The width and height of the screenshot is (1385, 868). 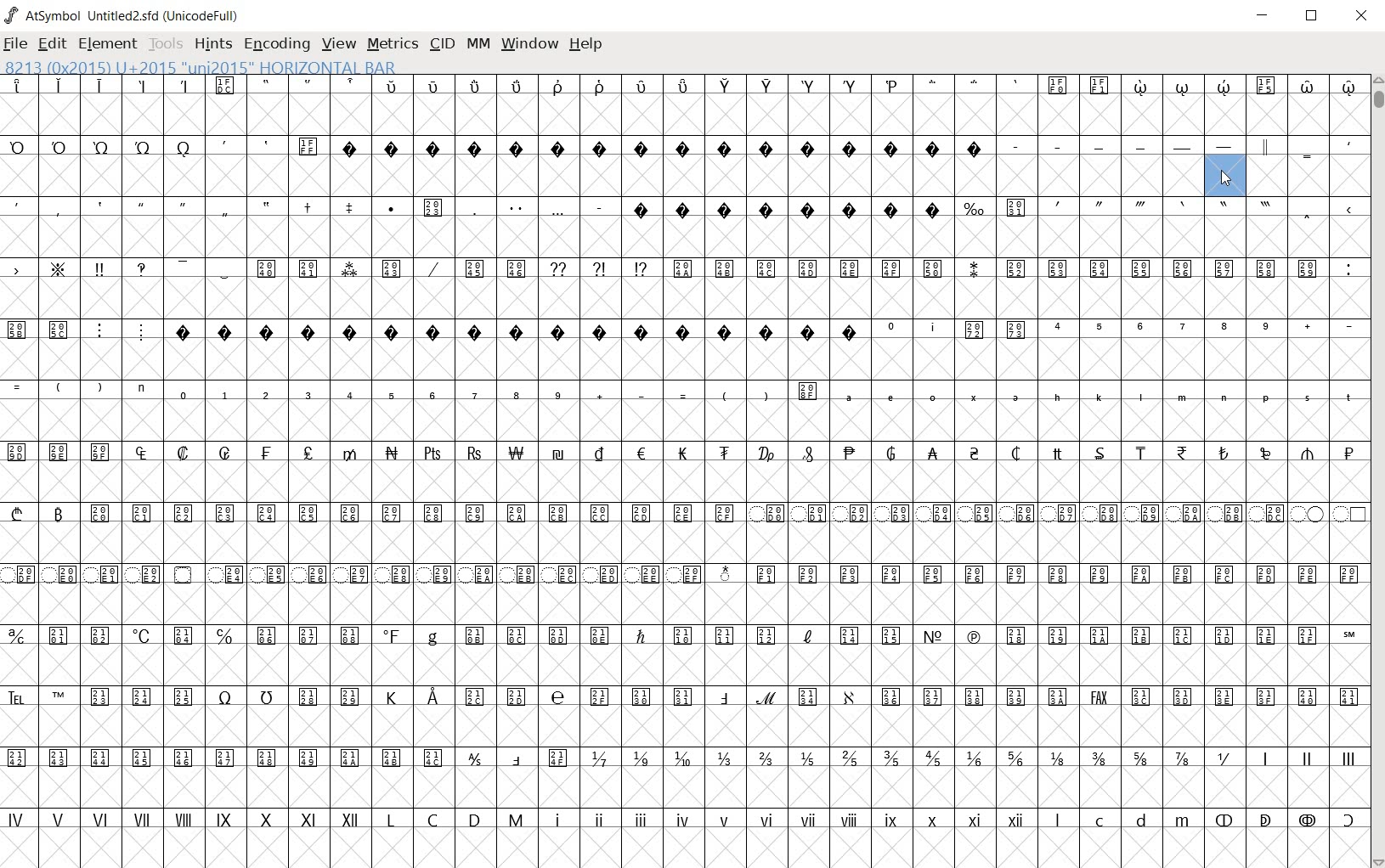 What do you see at coordinates (215, 44) in the screenshot?
I see `HINTS` at bounding box center [215, 44].